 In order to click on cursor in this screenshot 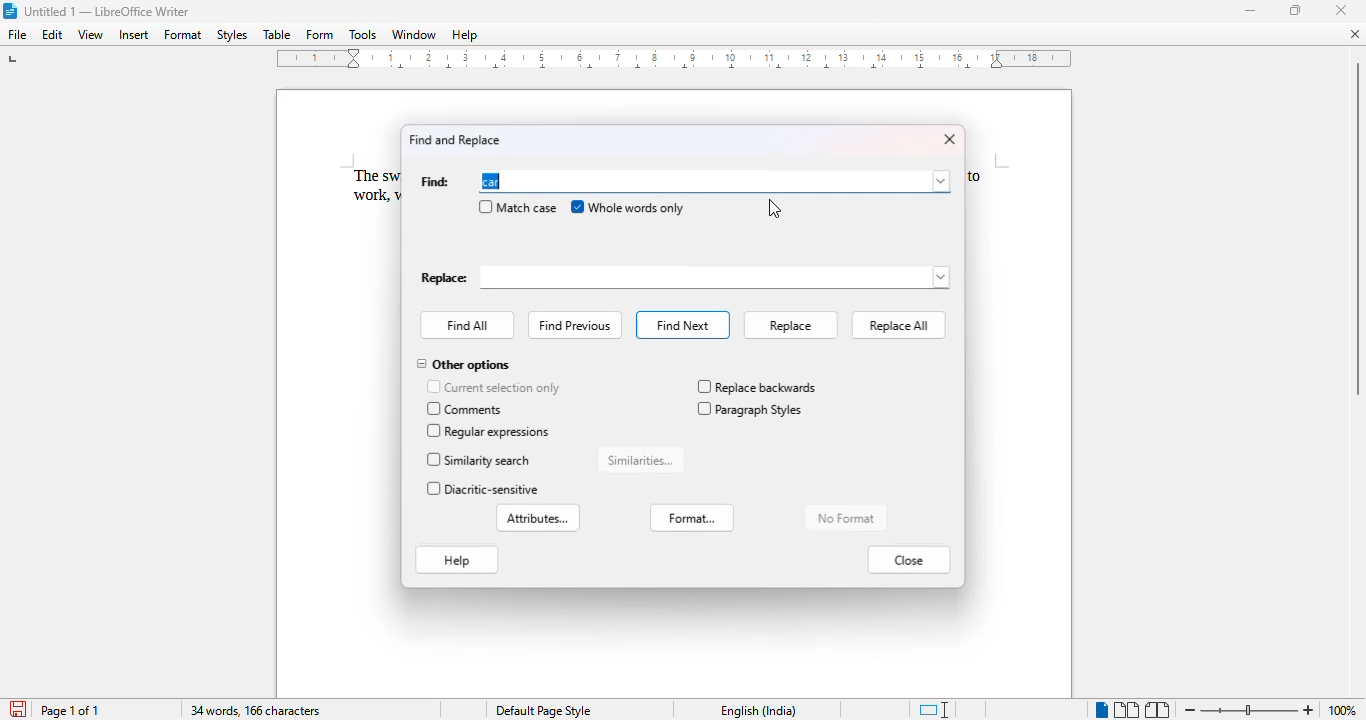, I will do `click(773, 209)`.